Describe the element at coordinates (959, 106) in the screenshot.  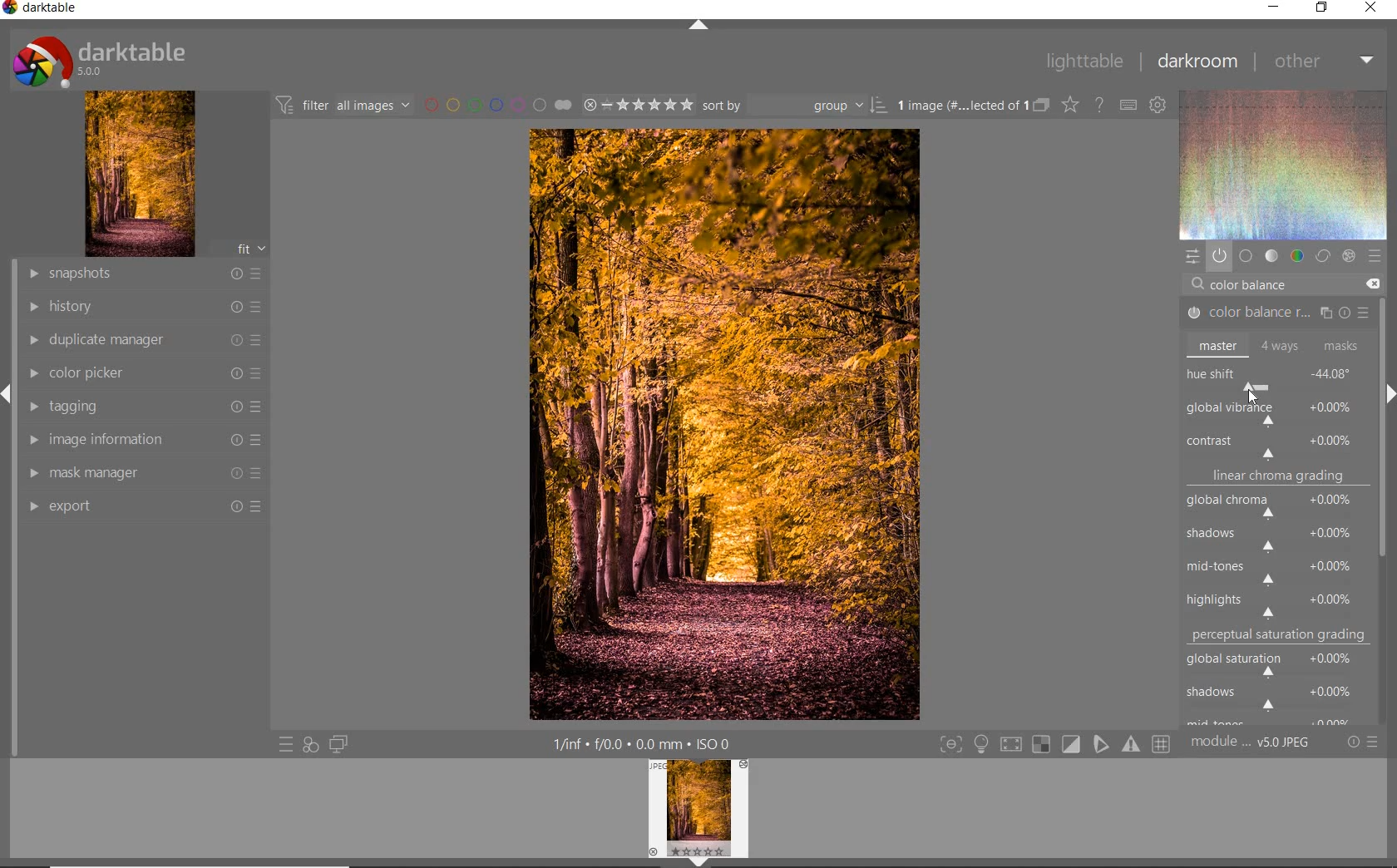
I see `selected images` at that location.